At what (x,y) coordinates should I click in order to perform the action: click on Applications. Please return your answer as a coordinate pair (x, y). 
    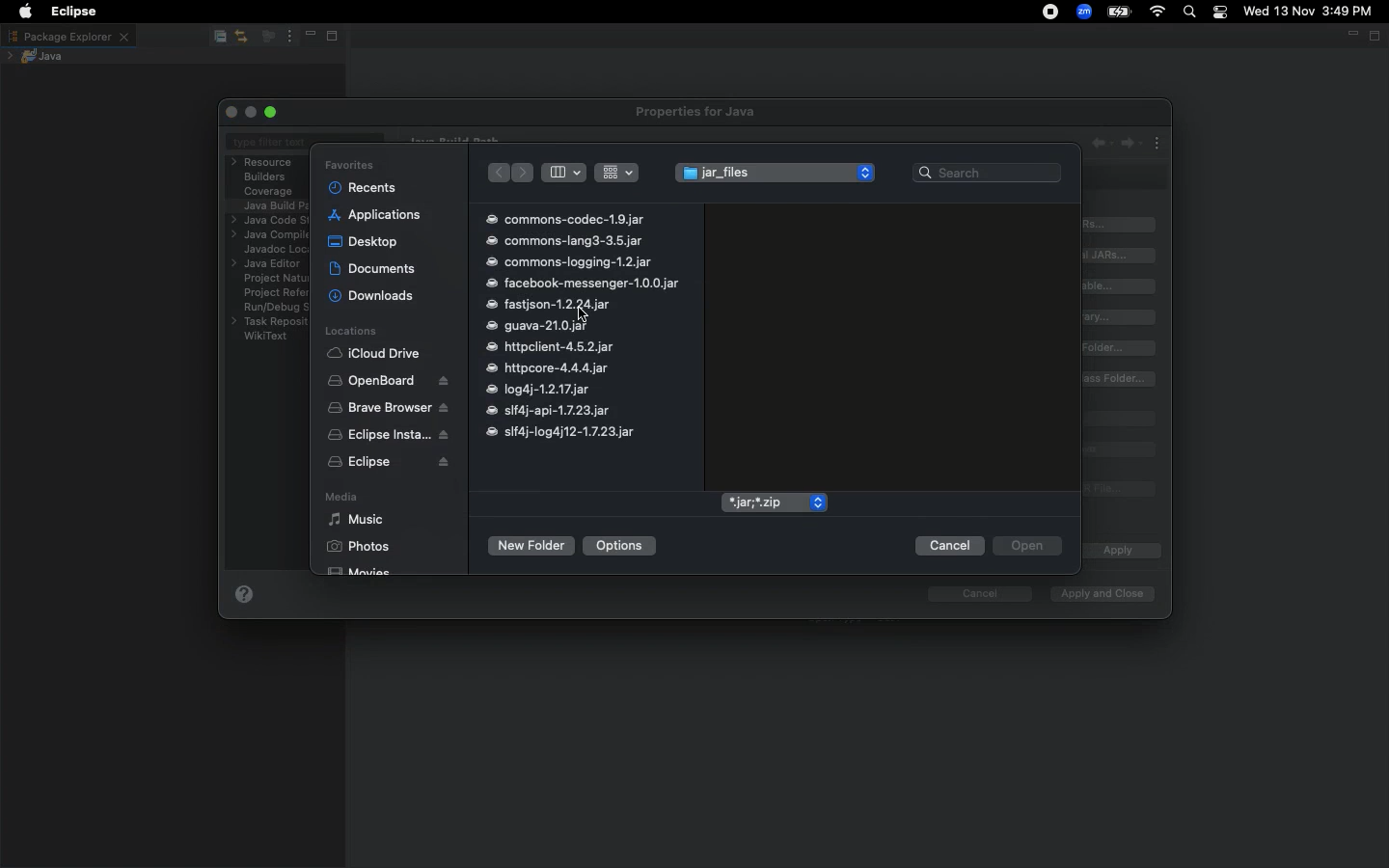
    Looking at the image, I should click on (375, 215).